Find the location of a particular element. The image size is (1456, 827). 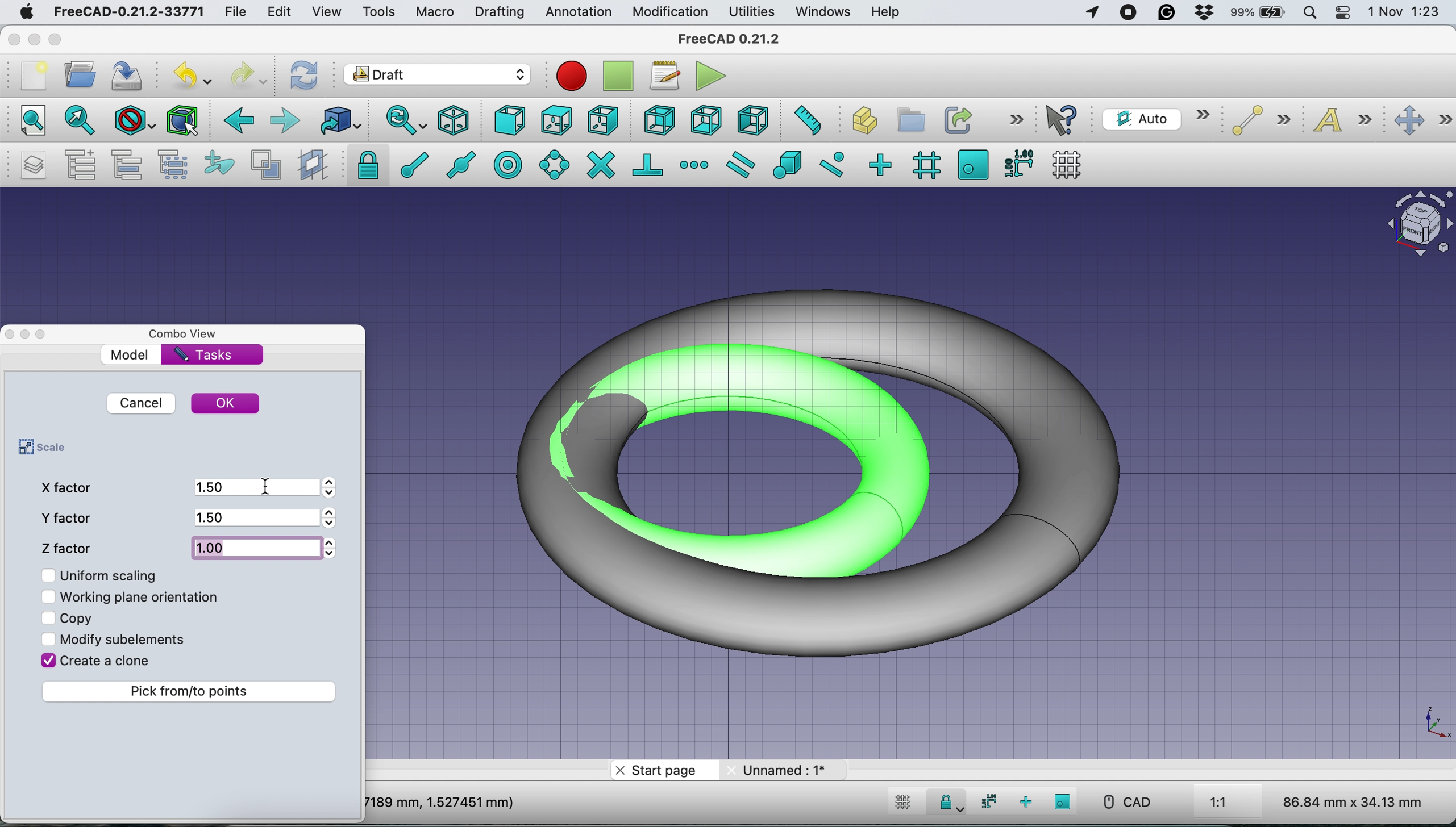

z factor is located at coordinates (70, 545).